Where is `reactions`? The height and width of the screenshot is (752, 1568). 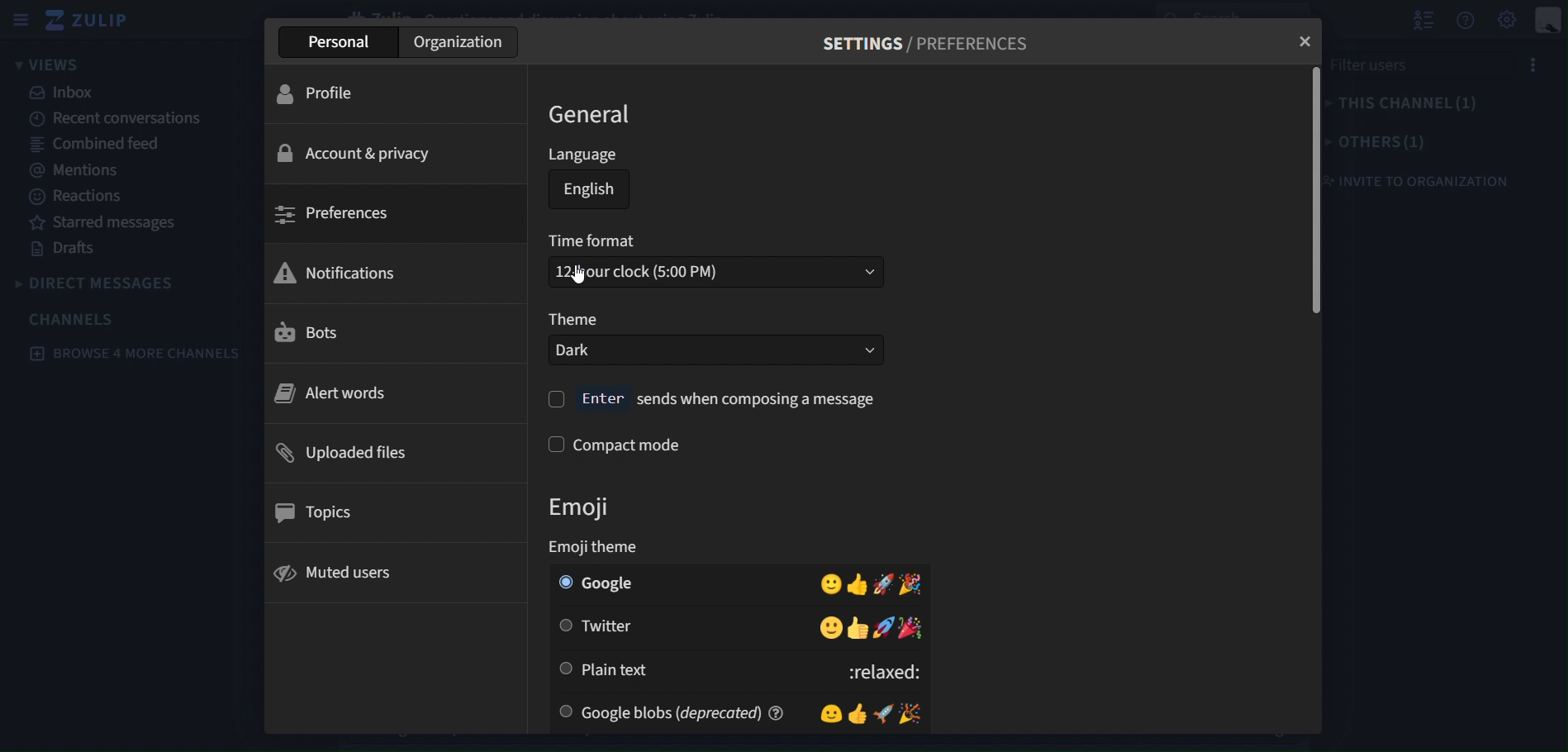
reactions is located at coordinates (74, 196).